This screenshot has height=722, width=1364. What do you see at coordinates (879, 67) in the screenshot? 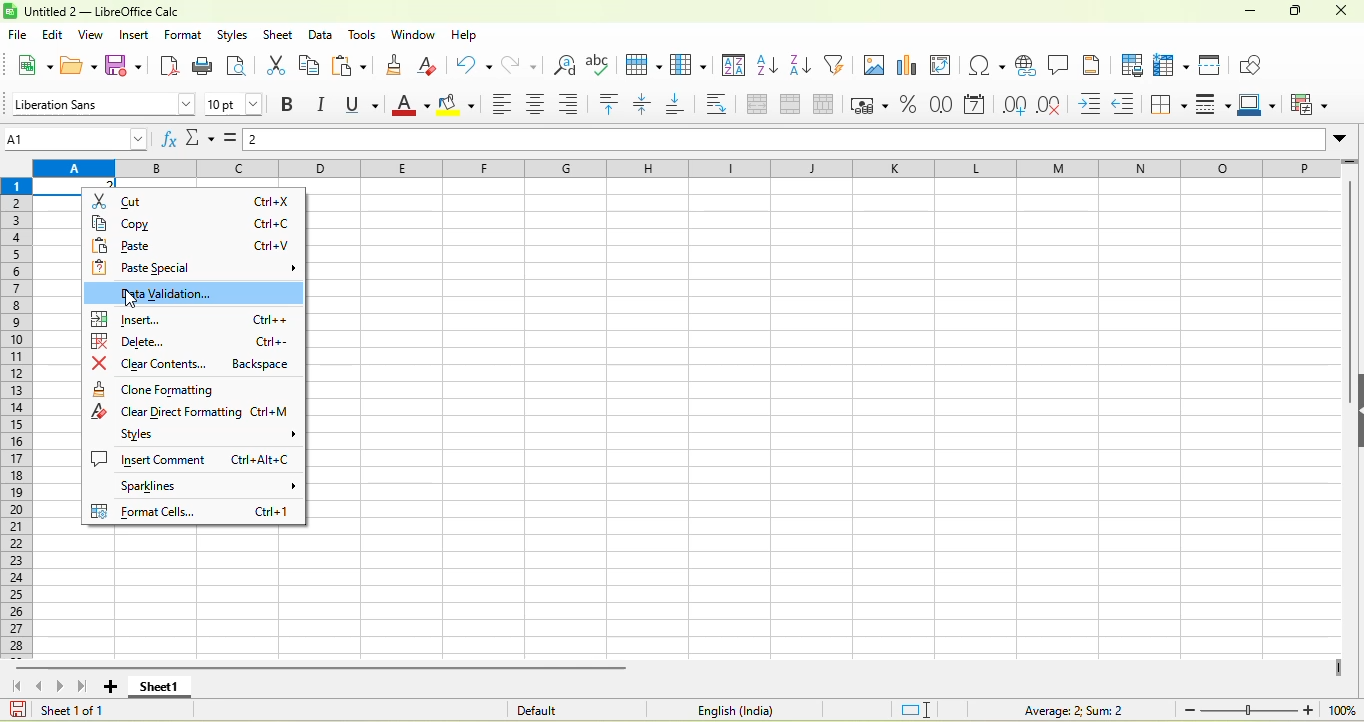
I see `image` at bounding box center [879, 67].